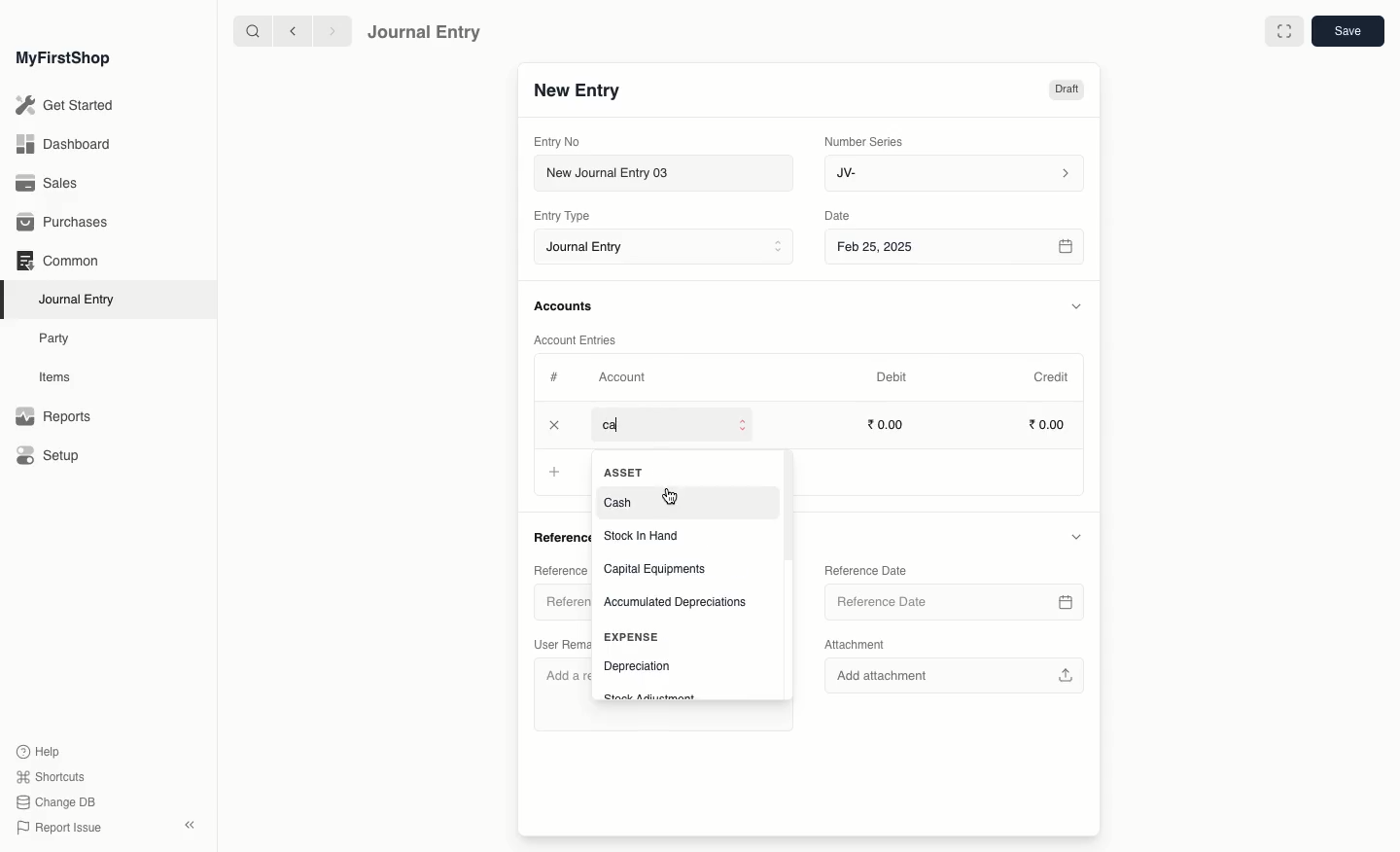 This screenshot has width=1400, height=852. What do you see at coordinates (631, 637) in the screenshot?
I see `EXPENSE` at bounding box center [631, 637].